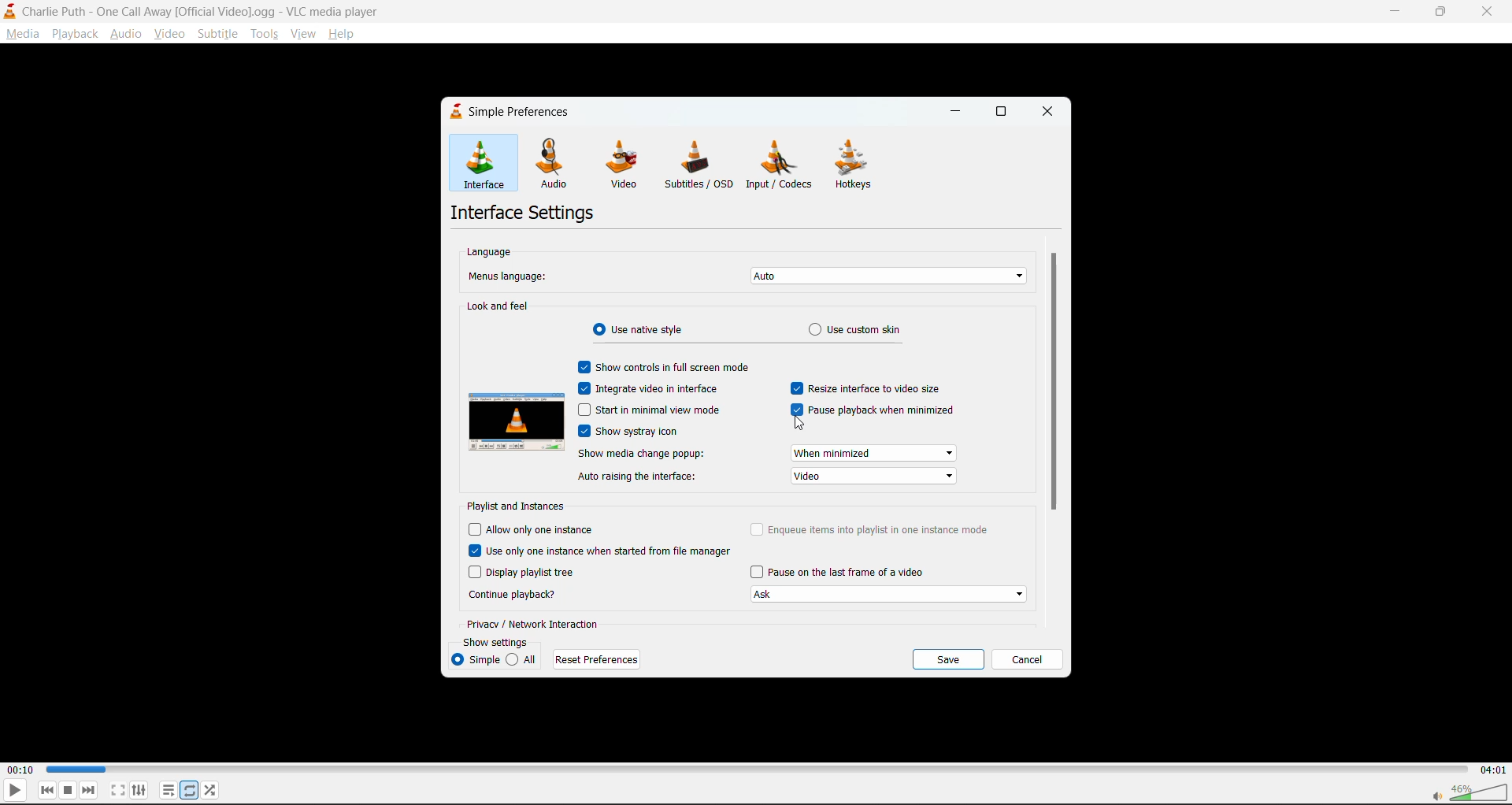 Image resolution: width=1512 pixels, height=805 pixels. Describe the element at coordinates (498, 305) in the screenshot. I see `look and feel` at that location.